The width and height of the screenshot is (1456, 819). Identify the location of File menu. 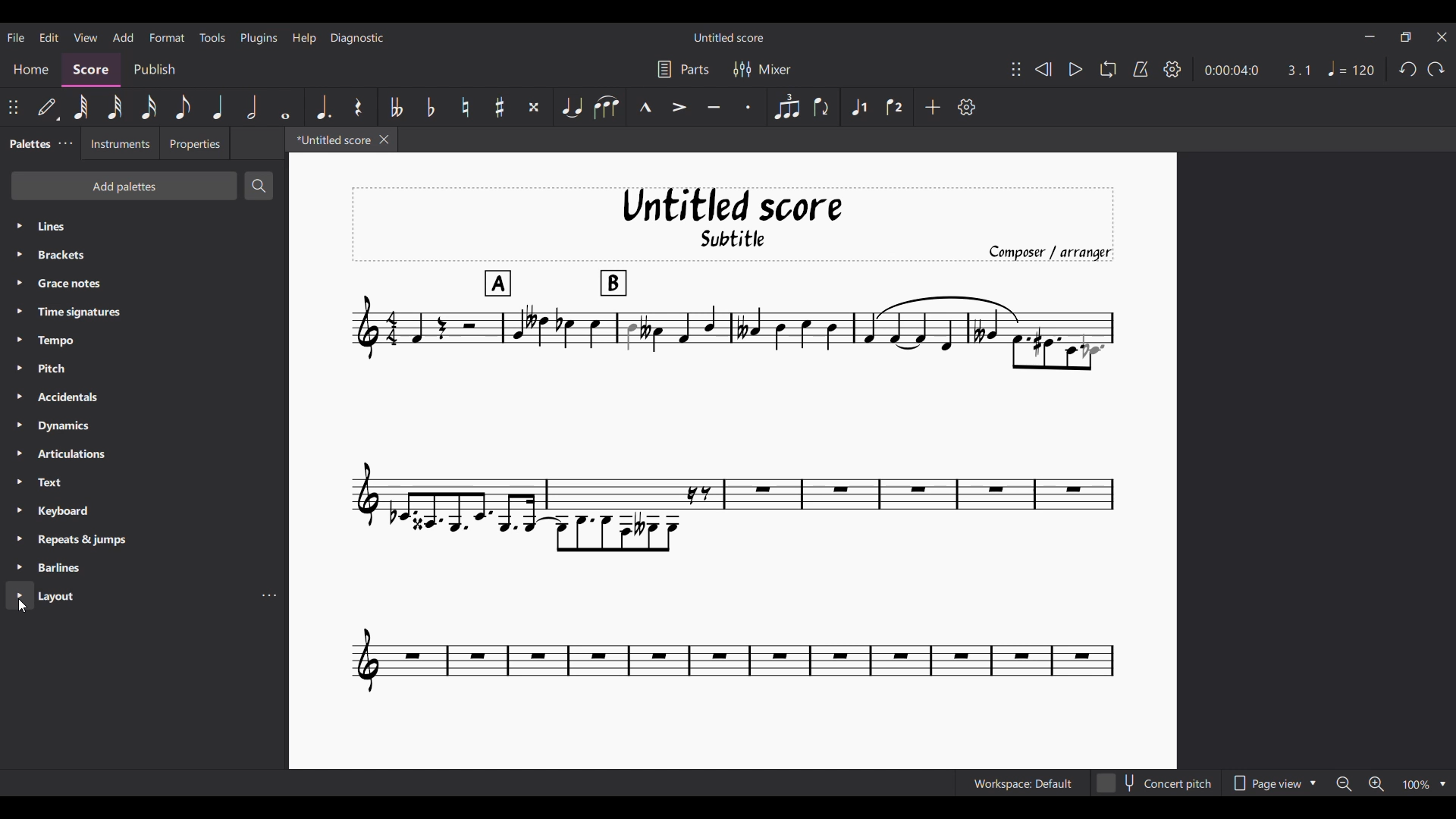
(16, 37).